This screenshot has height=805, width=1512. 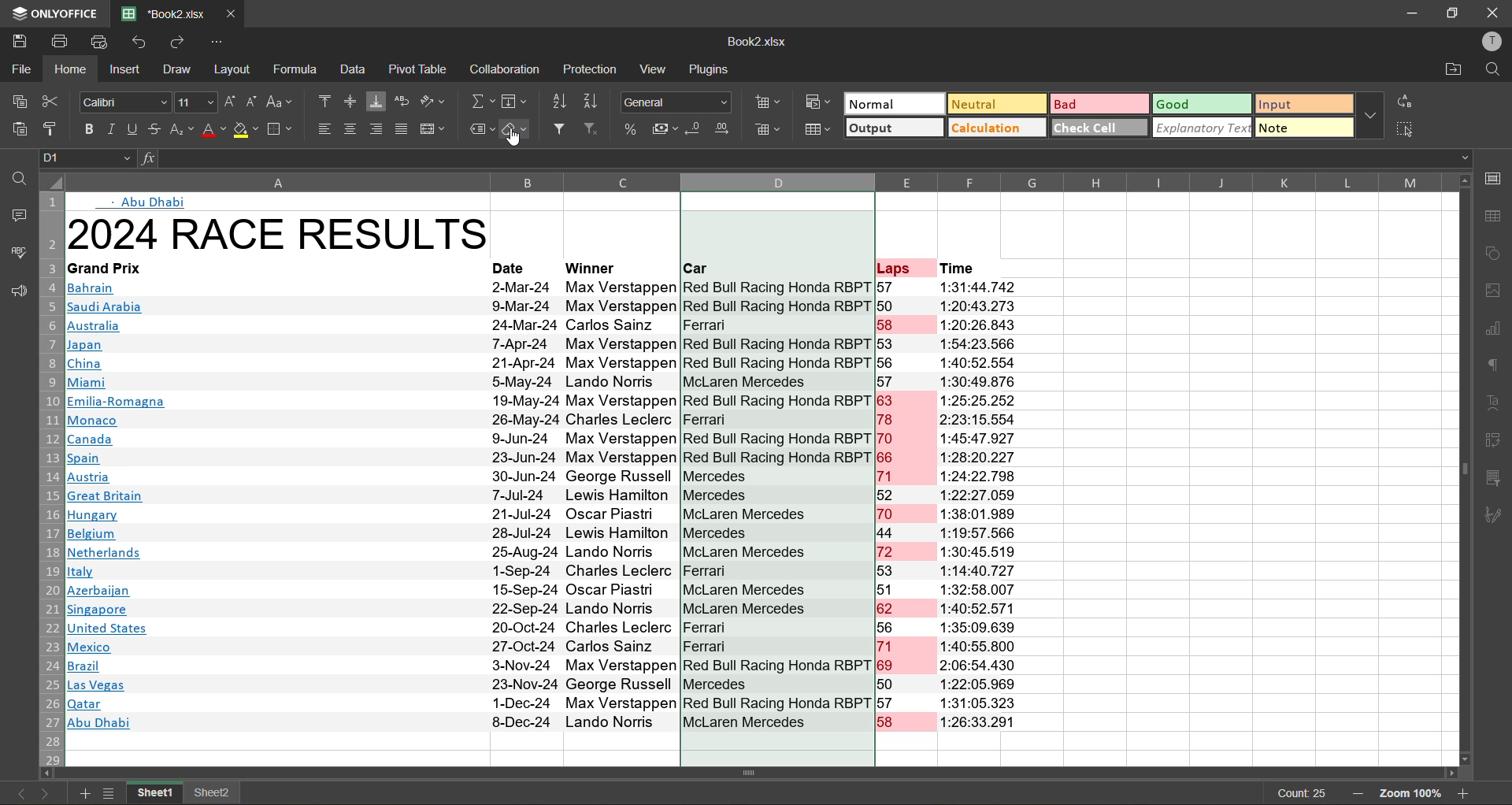 What do you see at coordinates (1464, 759) in the screenshot?
I see `move down` at bounding box center [1464, 759].